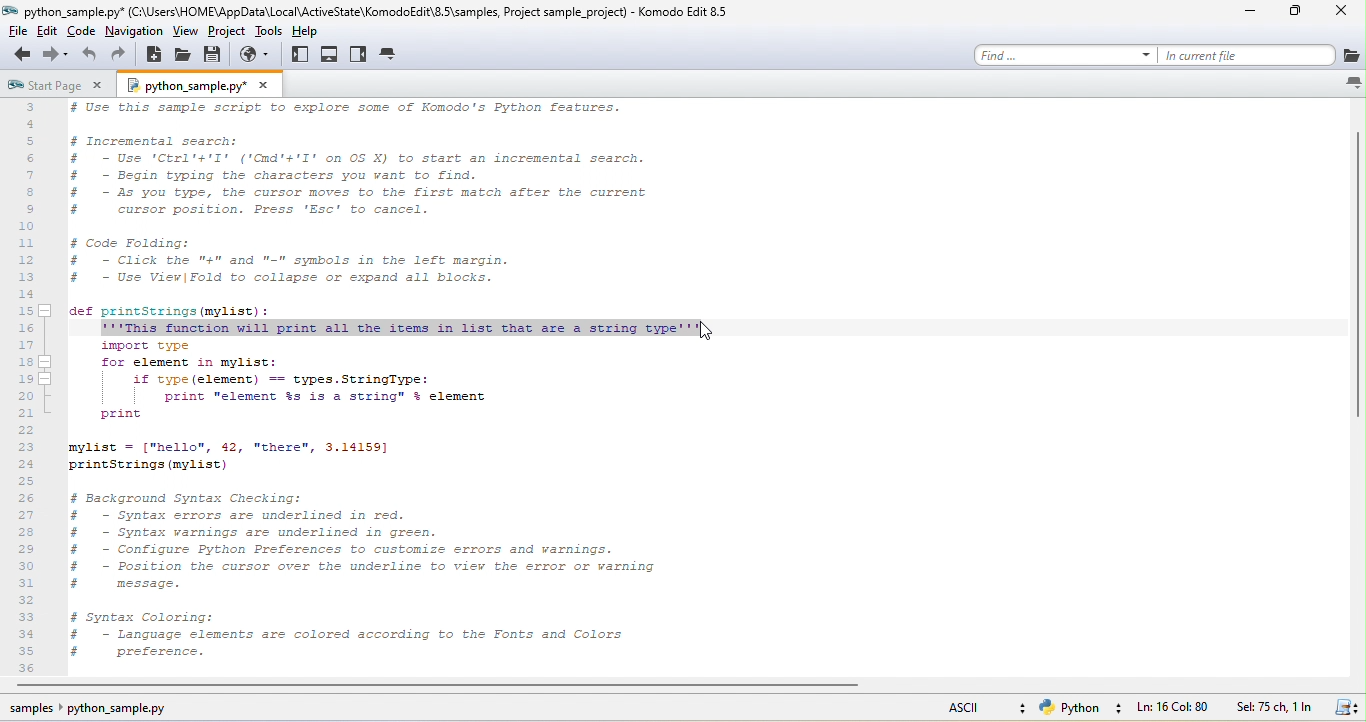 The image size is (1366, 722). I want to click on python samplepy, so click(182, 87).